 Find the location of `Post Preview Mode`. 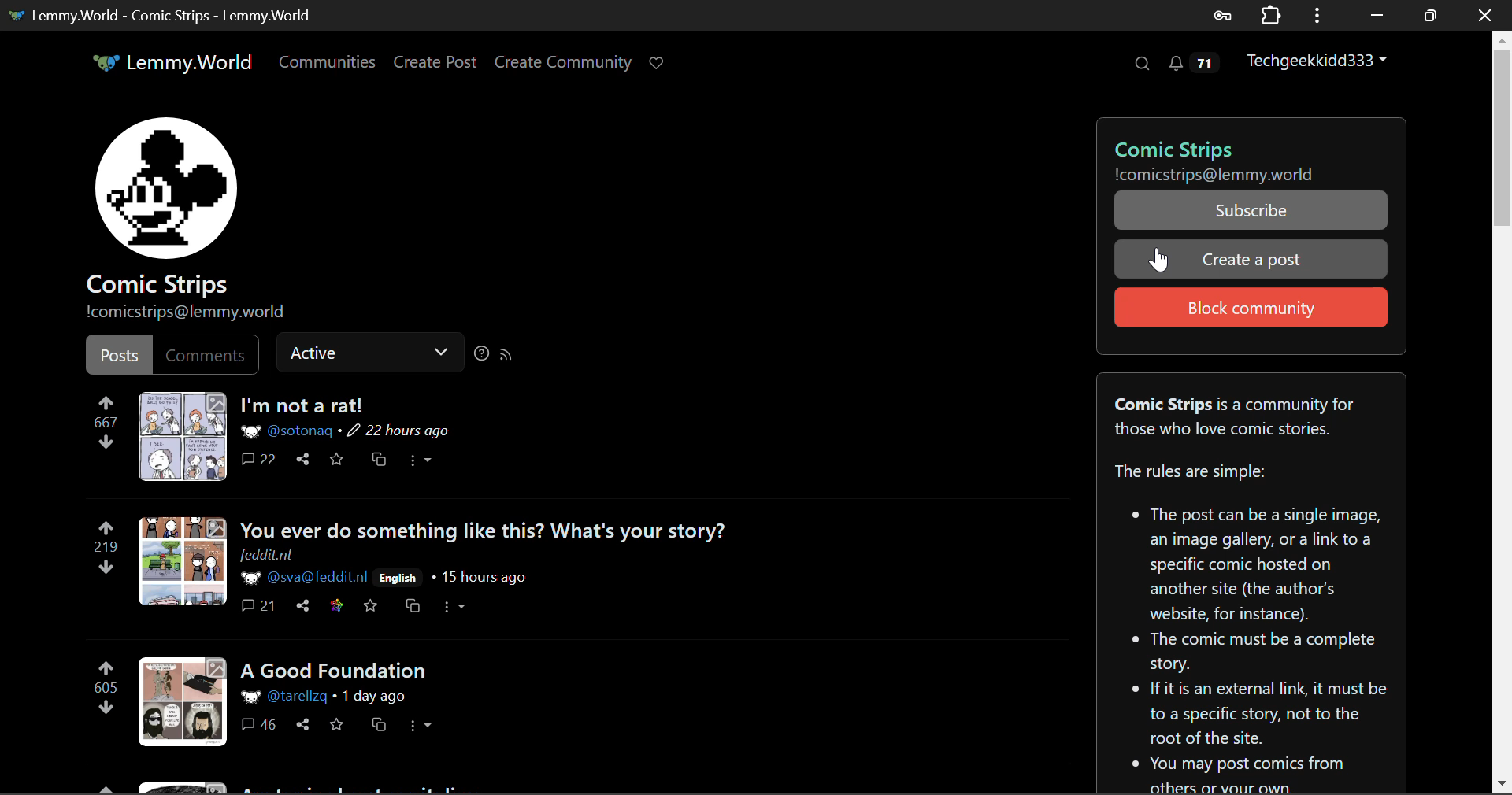

Post Preview Mode is located at coordinates (181, 560).